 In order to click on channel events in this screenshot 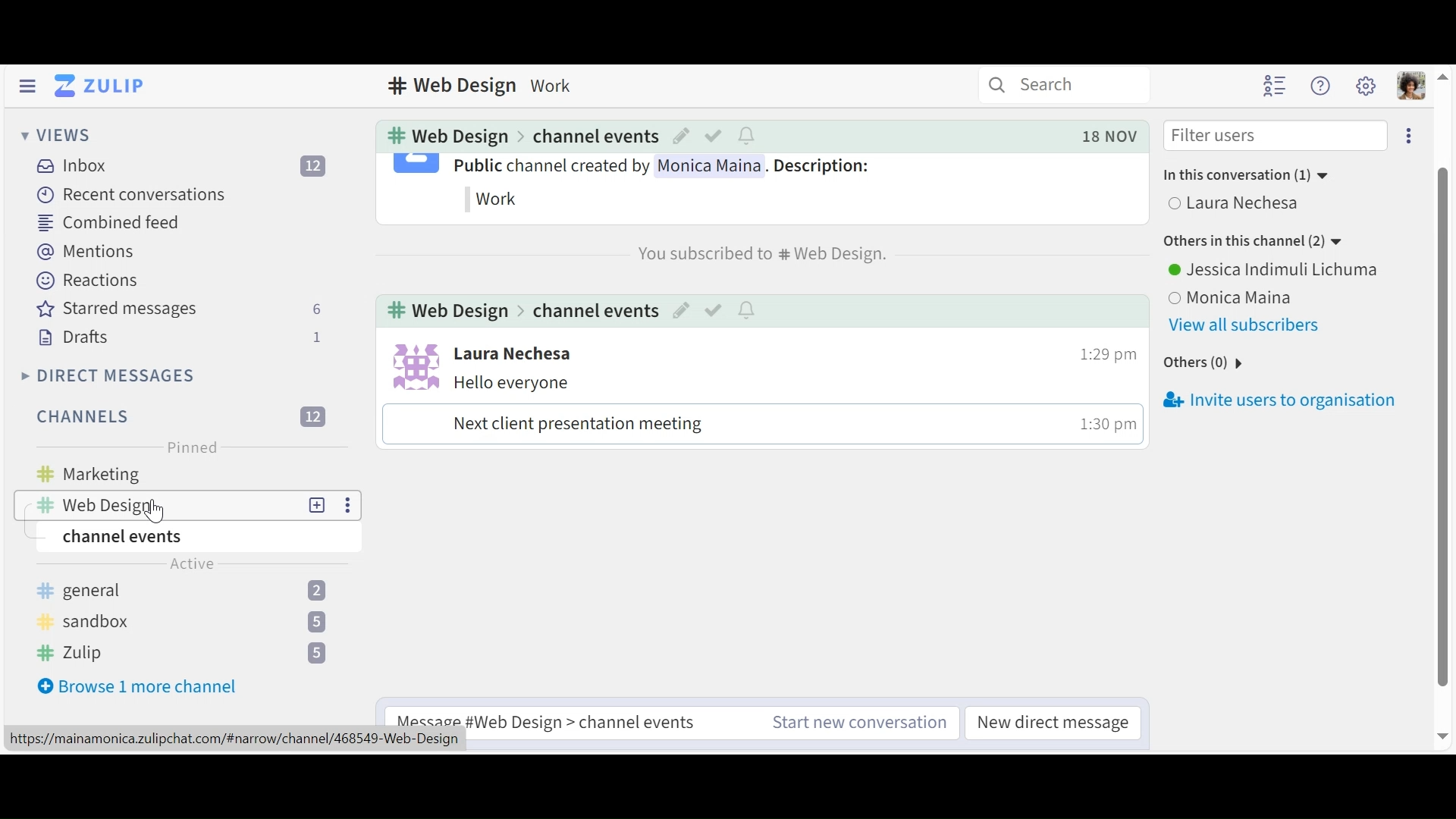, I will do `click(137, 538)`.